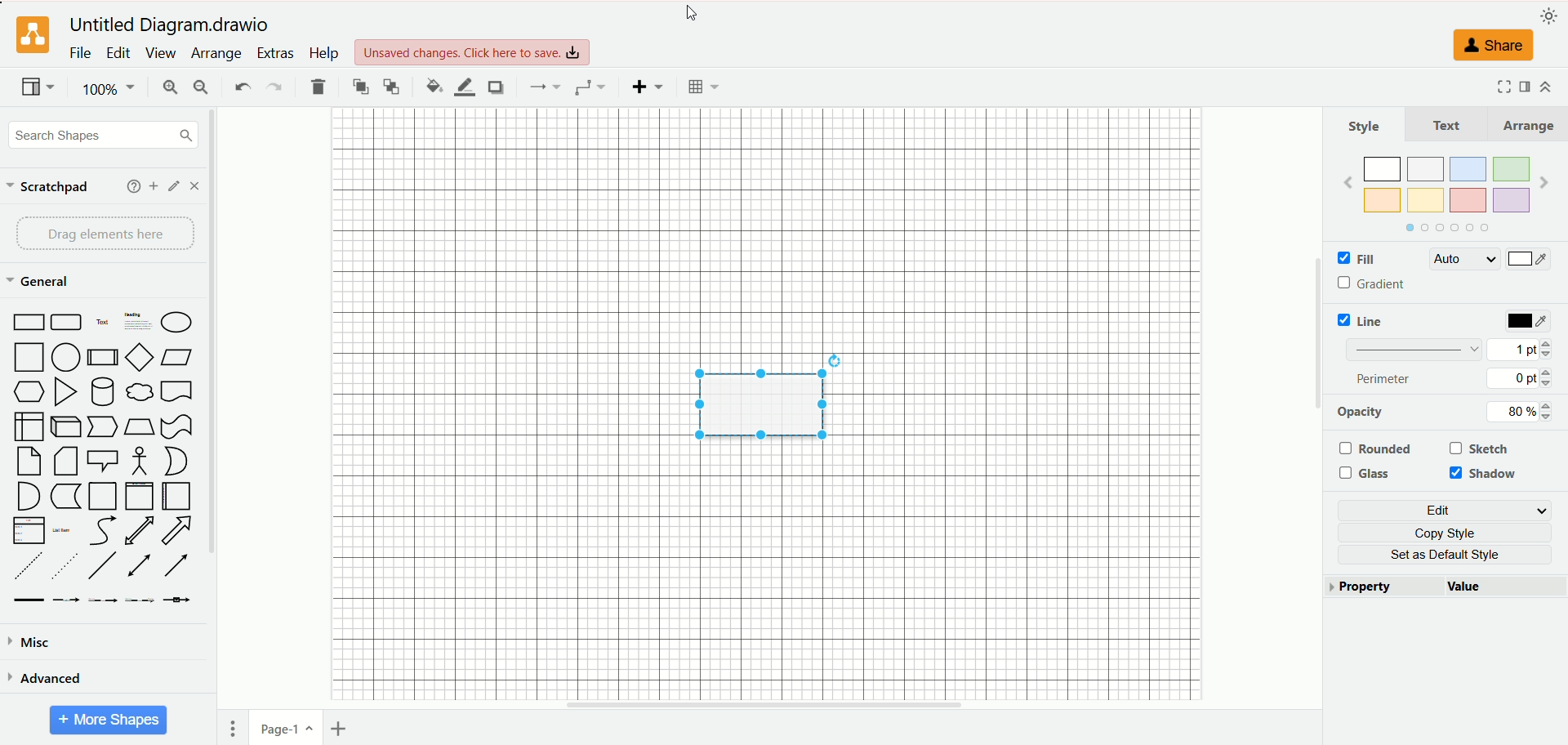 Image resolution: width=1568 pixels, height=745 pixels. I want to click on set as default style, so click(1453, 555).